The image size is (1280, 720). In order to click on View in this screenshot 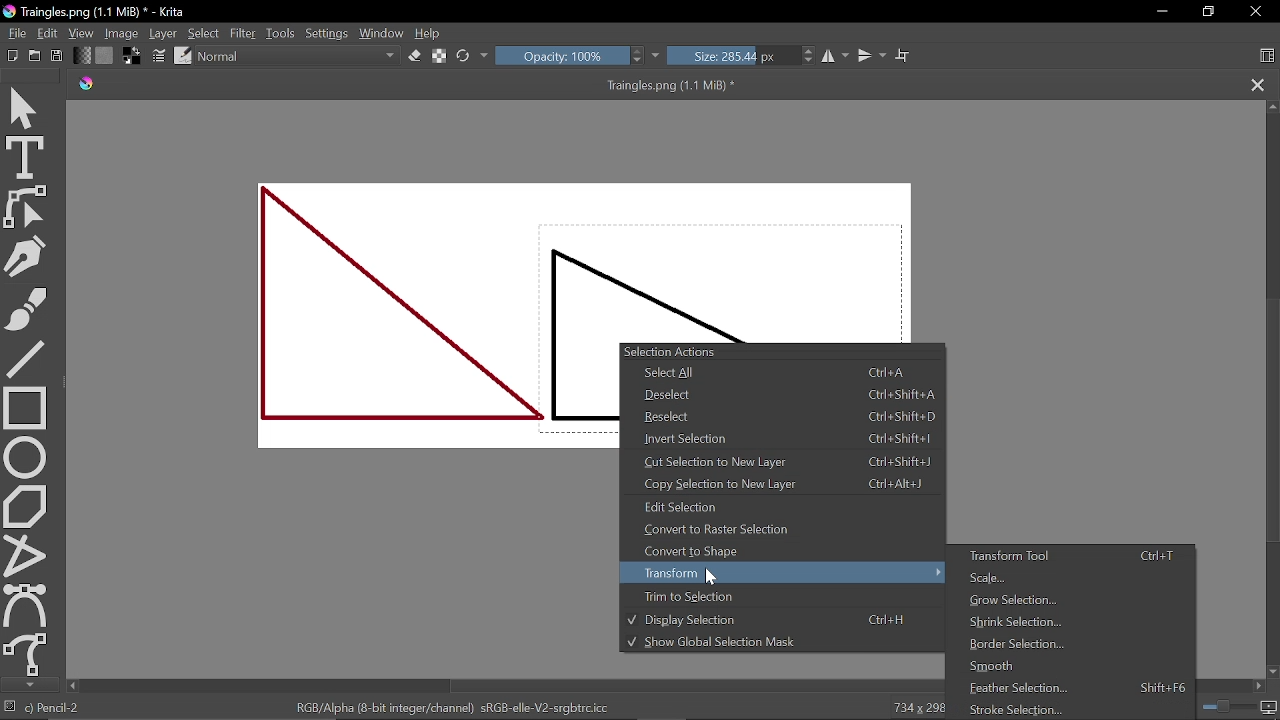, I will do `click(81, 33)`.